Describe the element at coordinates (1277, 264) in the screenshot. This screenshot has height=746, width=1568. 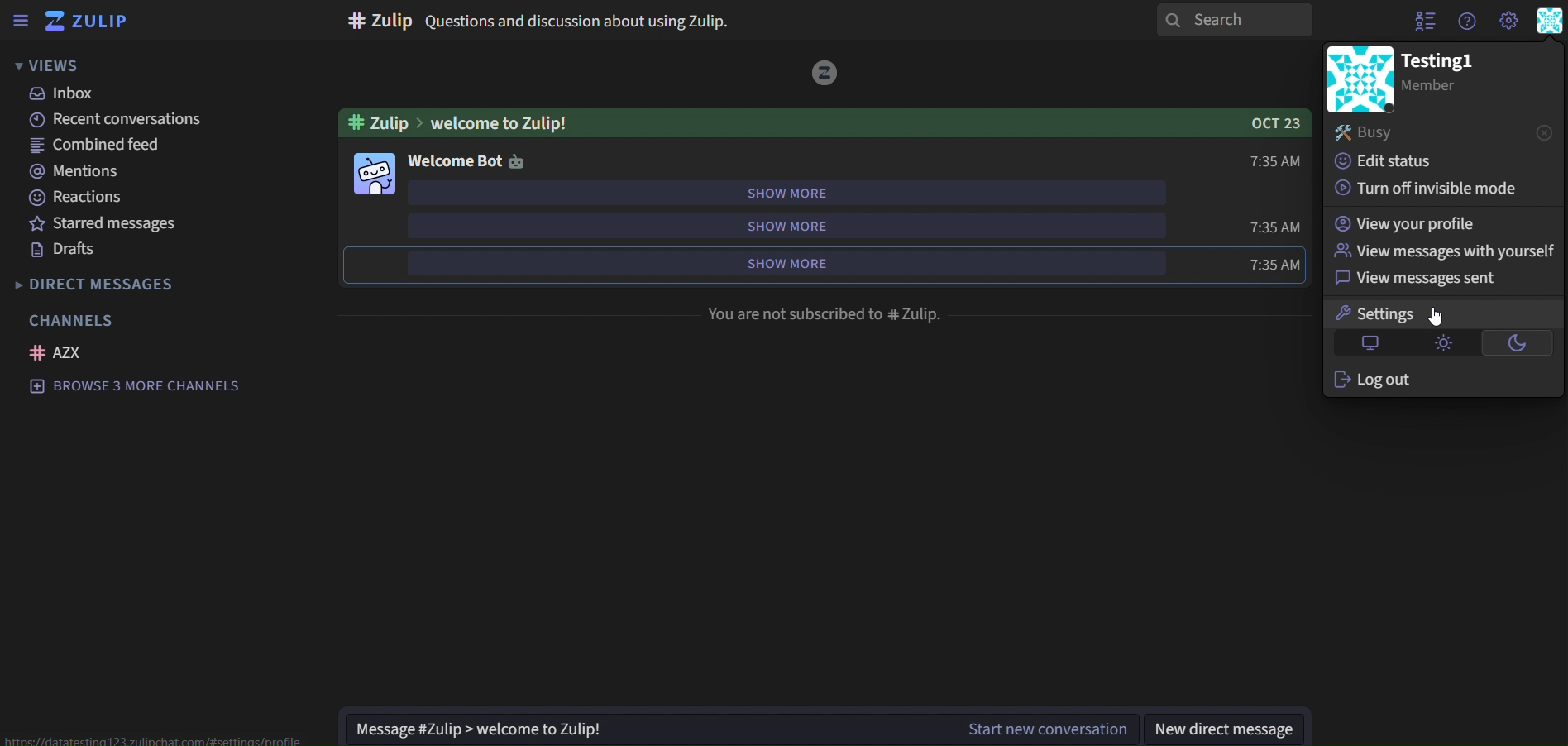
I see `7:35AM` at that location.